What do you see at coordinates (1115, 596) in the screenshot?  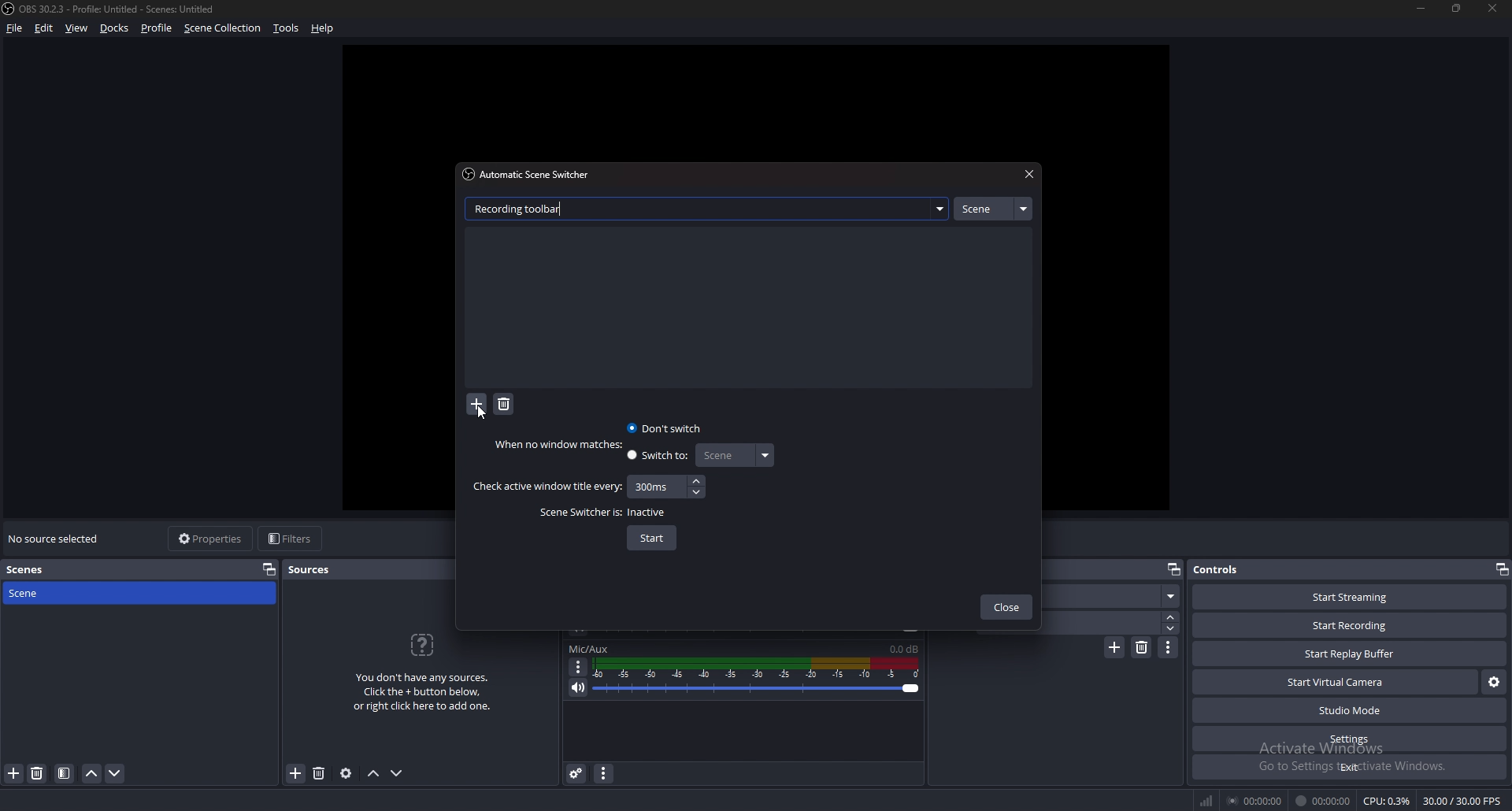 I see `swipe` at bounding box center [1115, 596].